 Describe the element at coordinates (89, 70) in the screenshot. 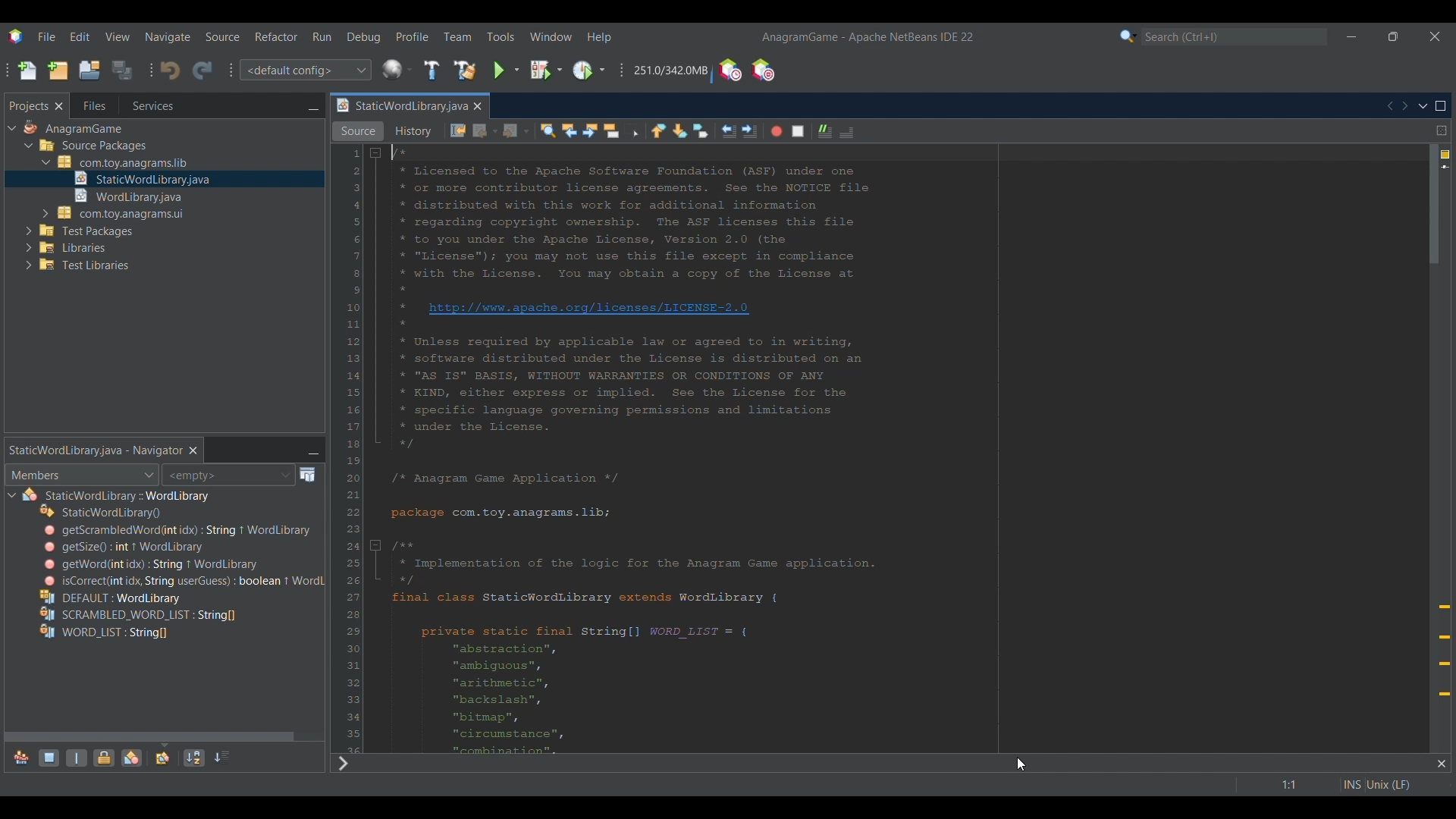

I see `Open project` at that location.